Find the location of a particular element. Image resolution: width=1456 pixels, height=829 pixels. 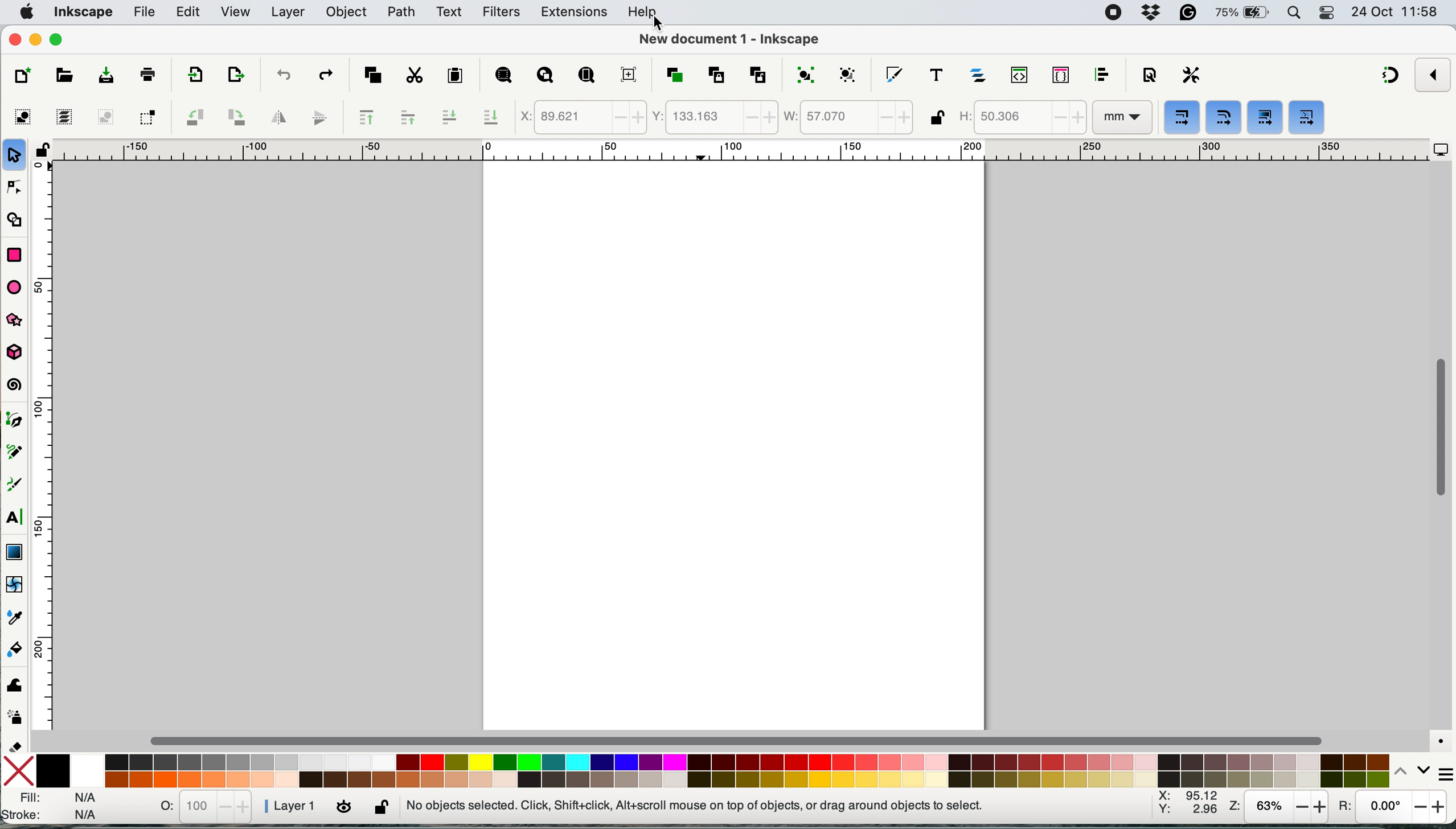

maximise is located at coordinates (59, 41).